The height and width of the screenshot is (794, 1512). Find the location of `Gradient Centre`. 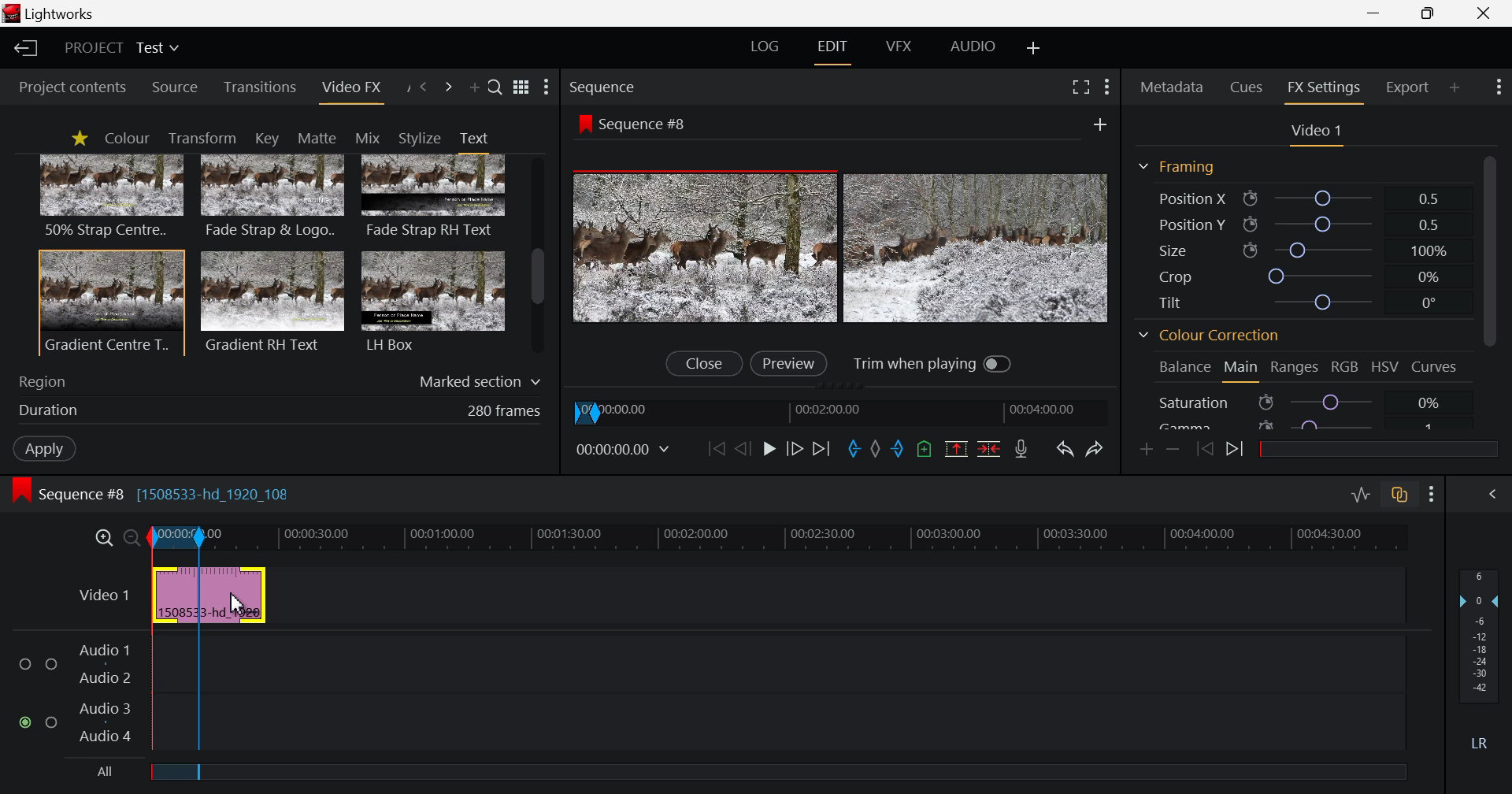

Gradient Centre is located at coordinates (110, 302).